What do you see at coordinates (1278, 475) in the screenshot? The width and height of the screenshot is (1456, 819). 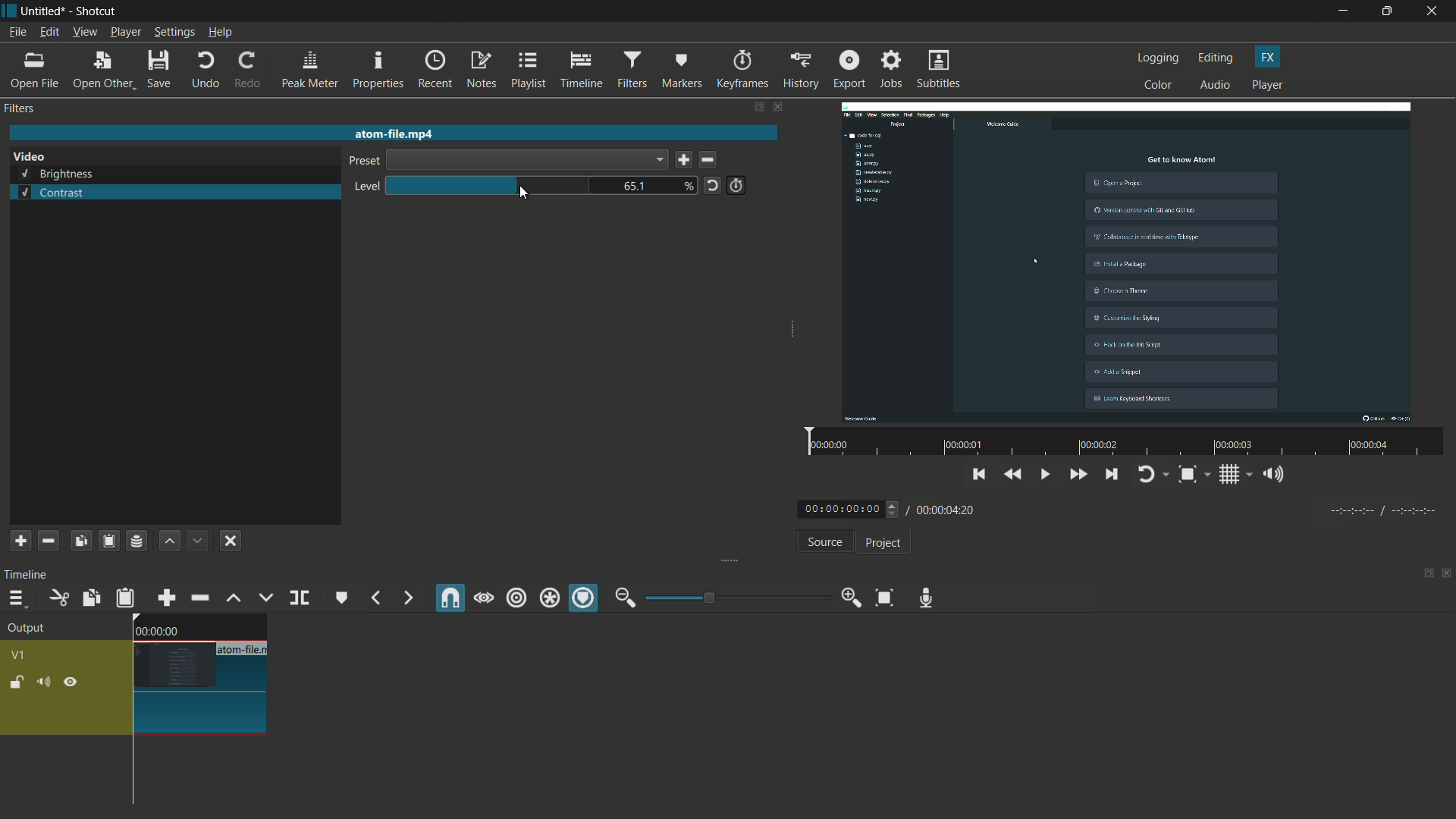 I see `show the volume control` at bounding box center [1278, 475].